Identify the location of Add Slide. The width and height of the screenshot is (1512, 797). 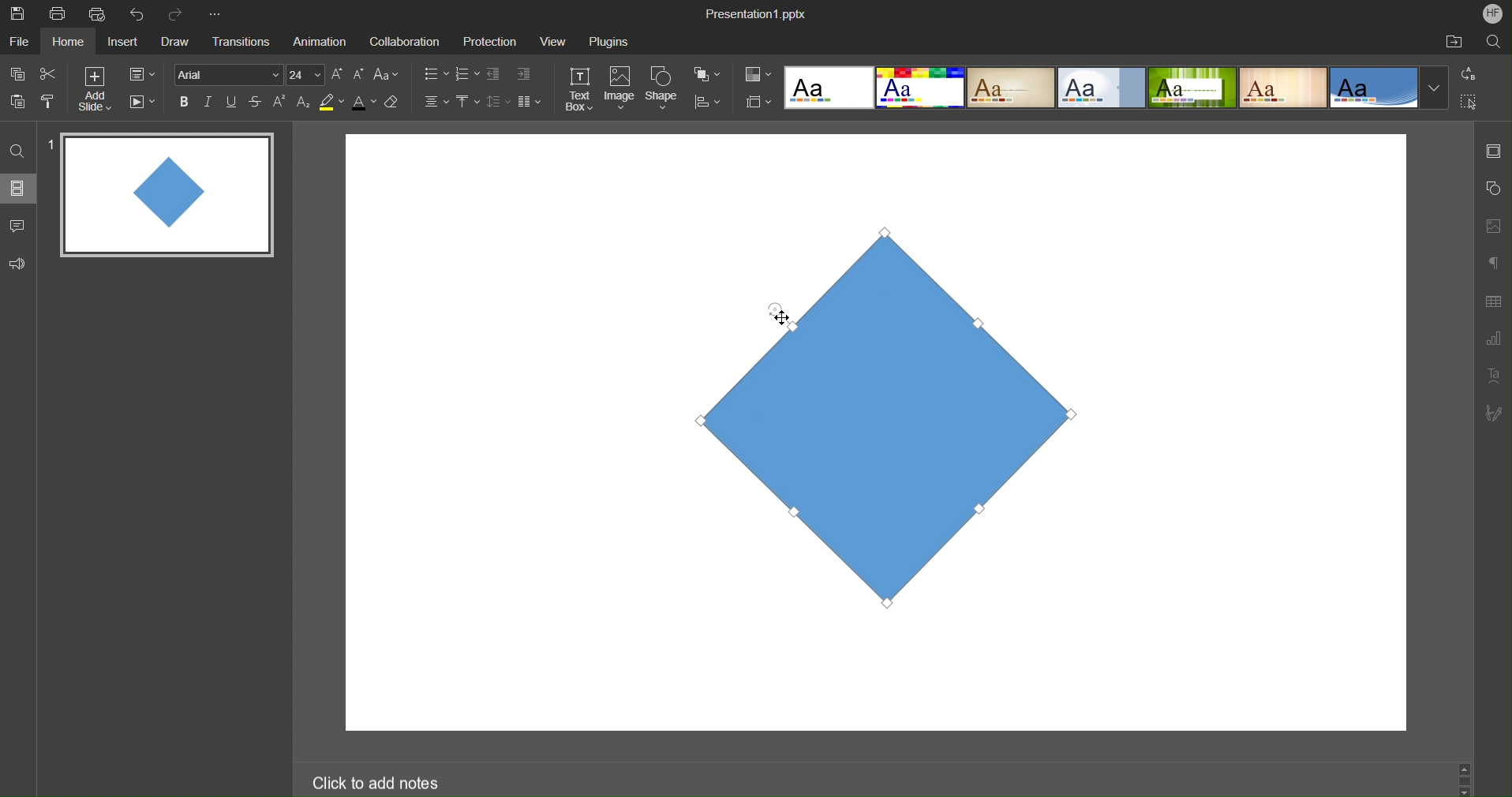
(93, 89).